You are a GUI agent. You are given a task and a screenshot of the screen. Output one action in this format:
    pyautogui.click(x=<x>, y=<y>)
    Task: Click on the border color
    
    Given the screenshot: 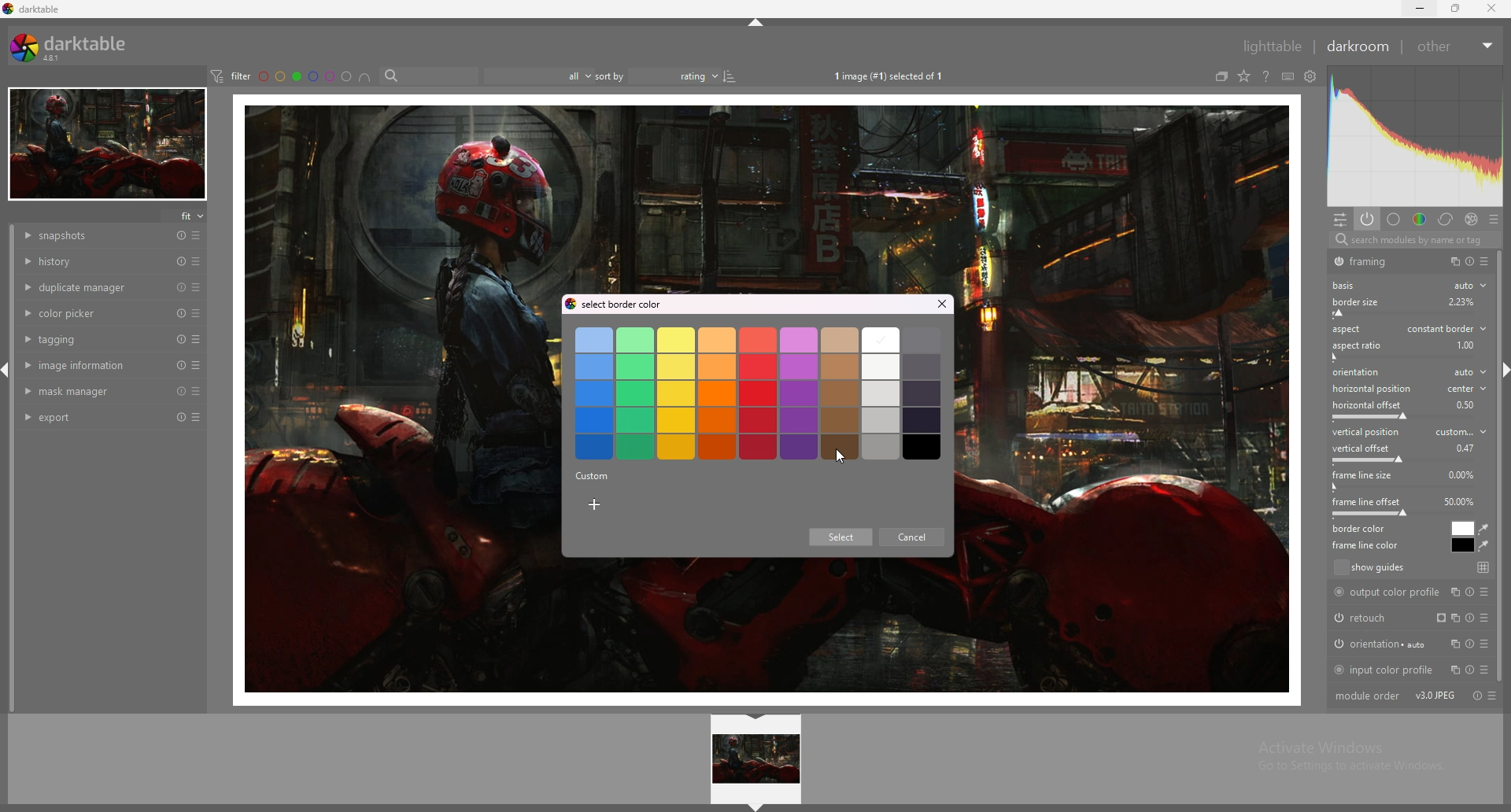 What is the action you would take?
    pyautogui.click(x=1365, y=529)
    